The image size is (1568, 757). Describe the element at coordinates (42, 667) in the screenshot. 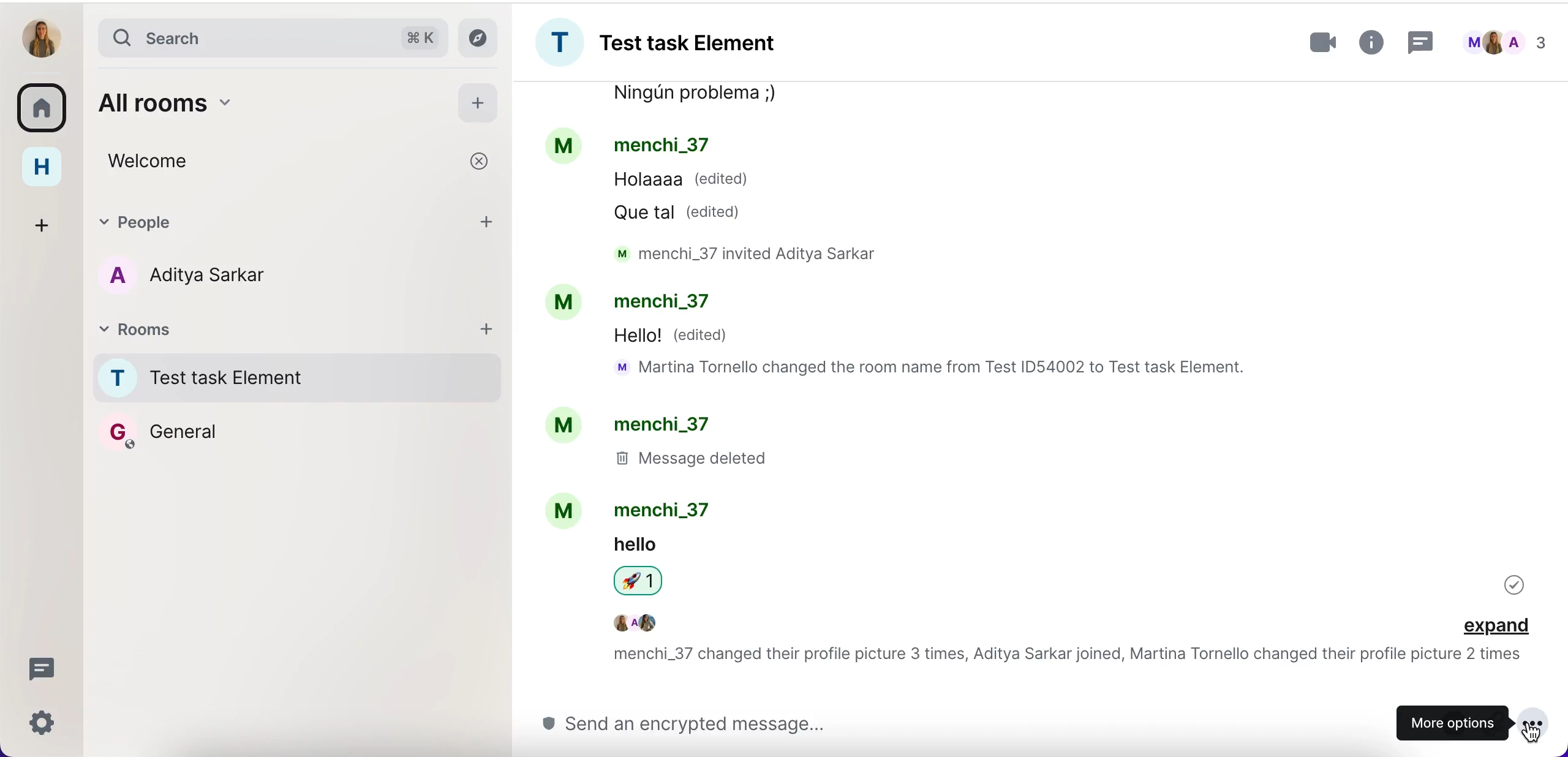

I see `threads` at that location.